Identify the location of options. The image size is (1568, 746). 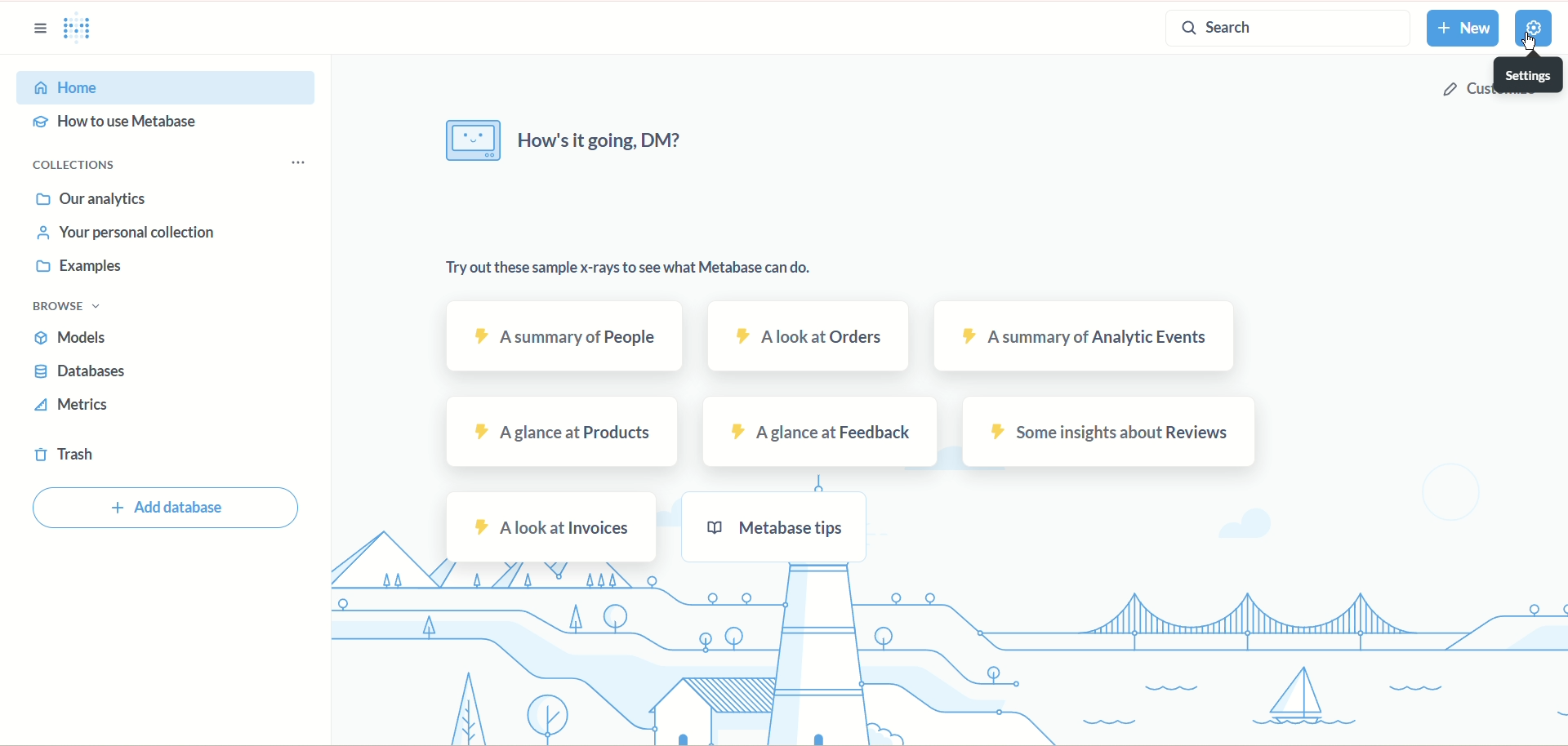
(296, 166).